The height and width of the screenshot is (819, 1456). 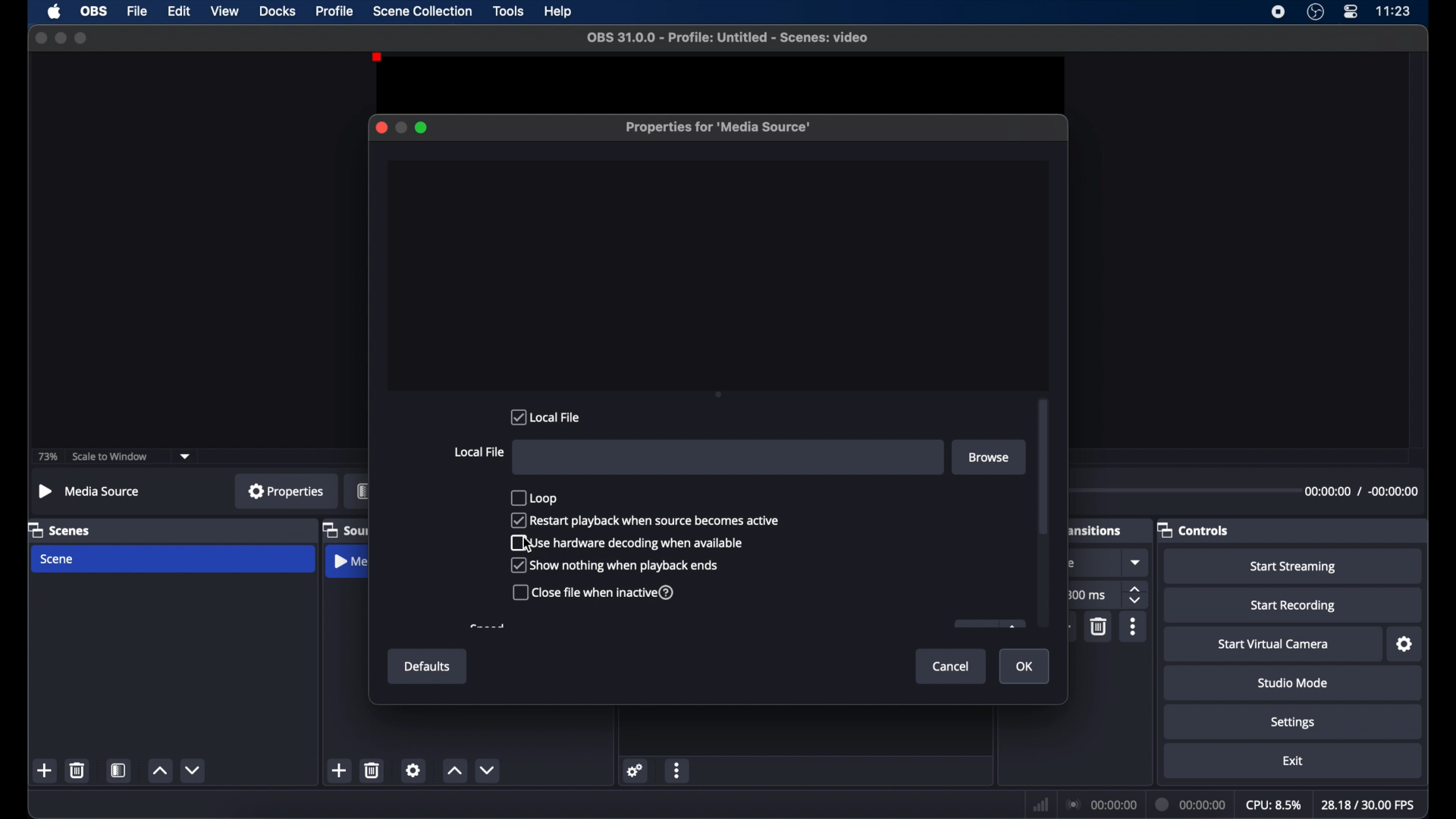 What do you see at coordinates (1025, 667) in the screenshot?
I see `ok` at bounding box center [1025, 667].